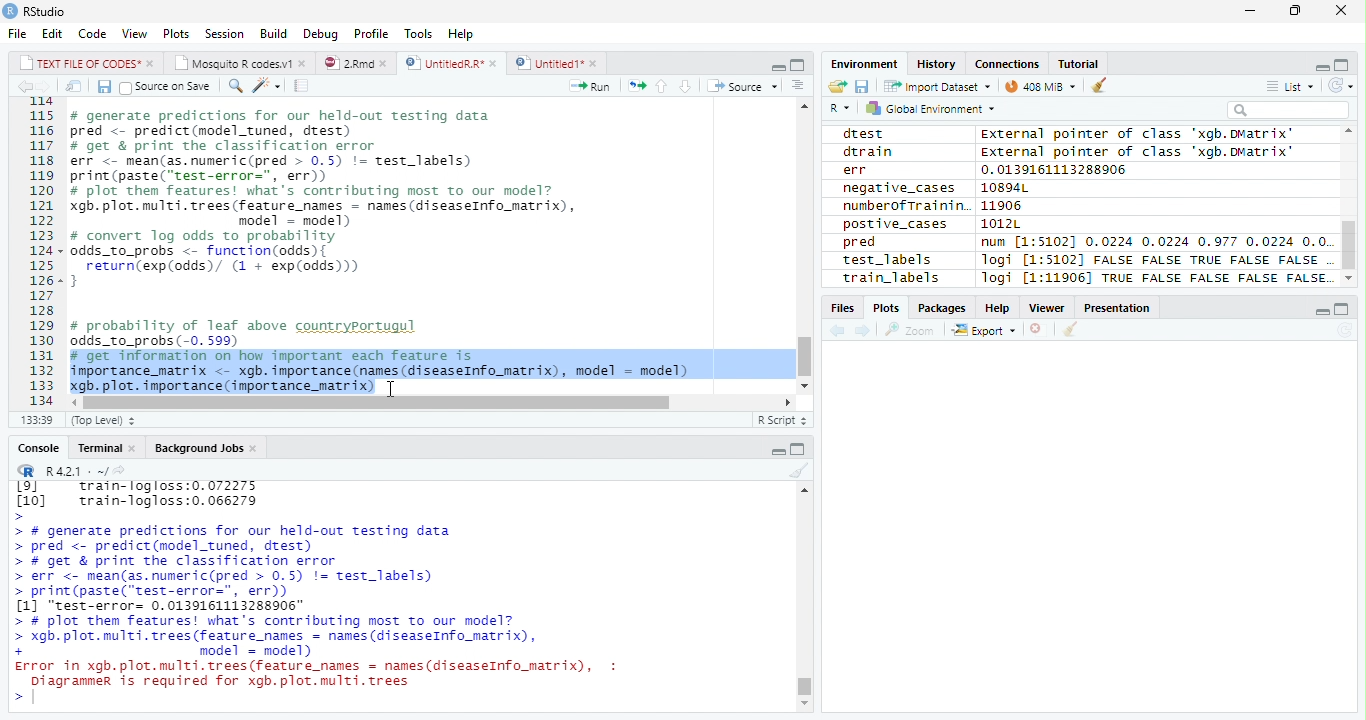 The width and height of the screenshot is (1366, 720). Describe the element at coordinates (463, 36) in the screenshot. I see `Help` at that location.